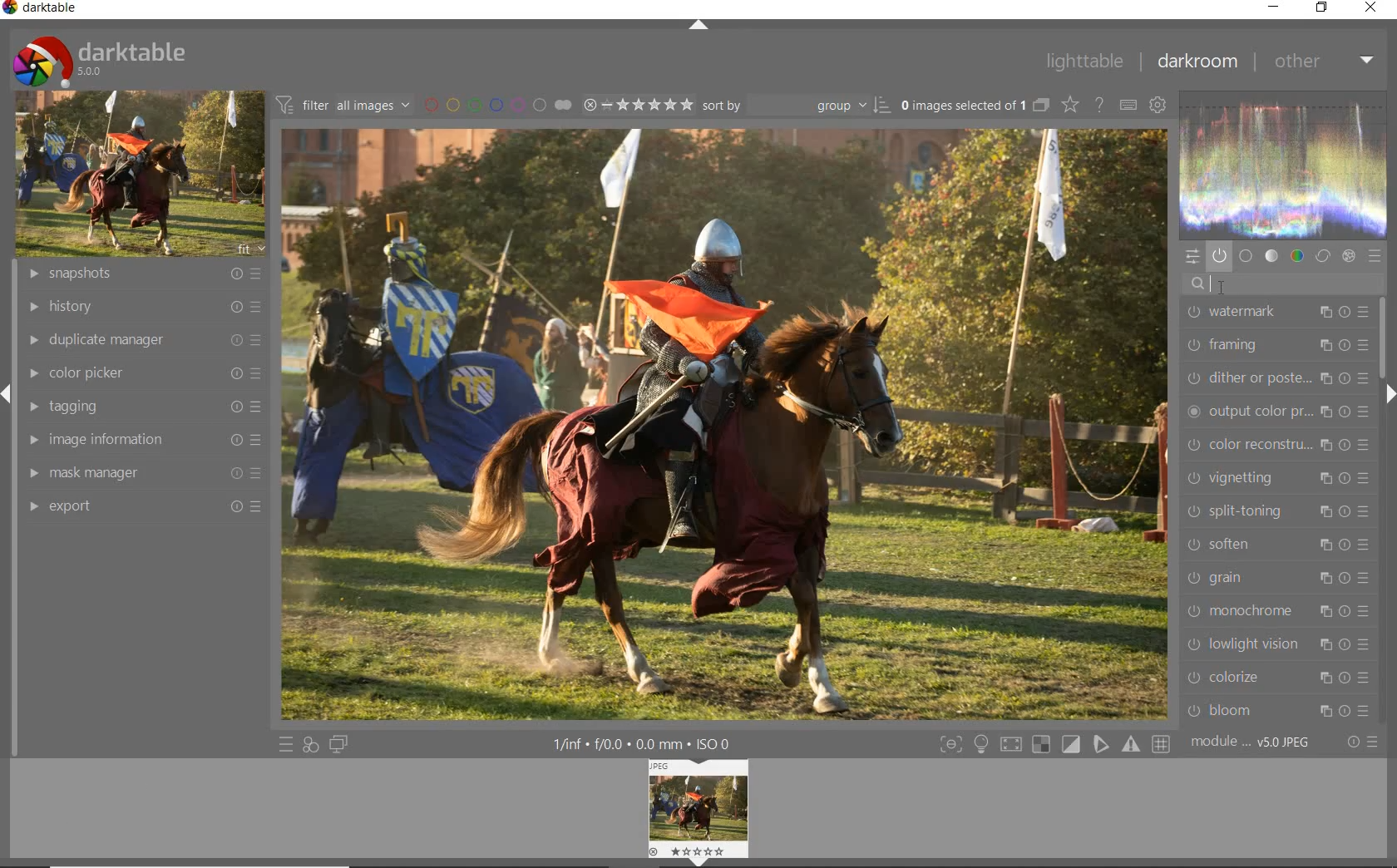 The width and height of the screenshot is (1397, 868). Describe the element at coordinates (1190, 256) in the screenshot. I see `quick access panel` at that location.